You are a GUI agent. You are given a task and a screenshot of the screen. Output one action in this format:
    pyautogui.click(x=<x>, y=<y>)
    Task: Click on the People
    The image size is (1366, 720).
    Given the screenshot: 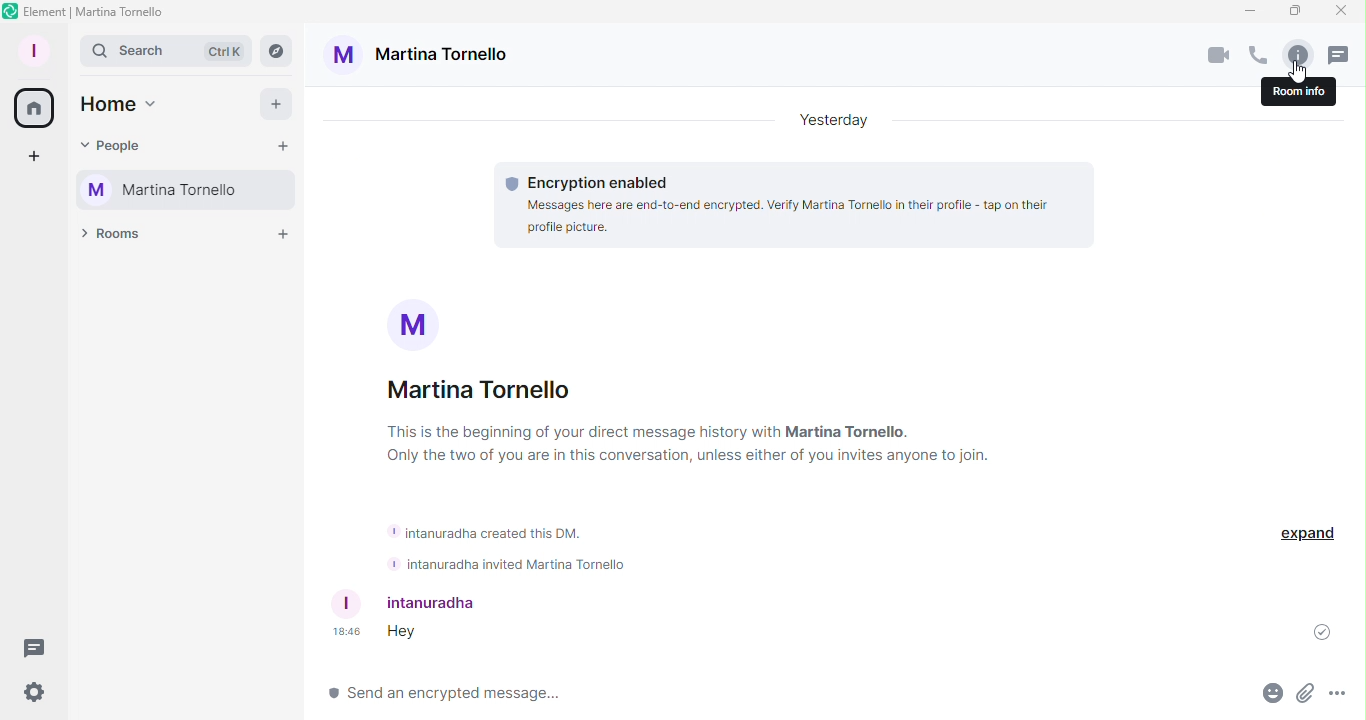 What is the action you would take?
    pyautogui.click(x=122, y=147)
    